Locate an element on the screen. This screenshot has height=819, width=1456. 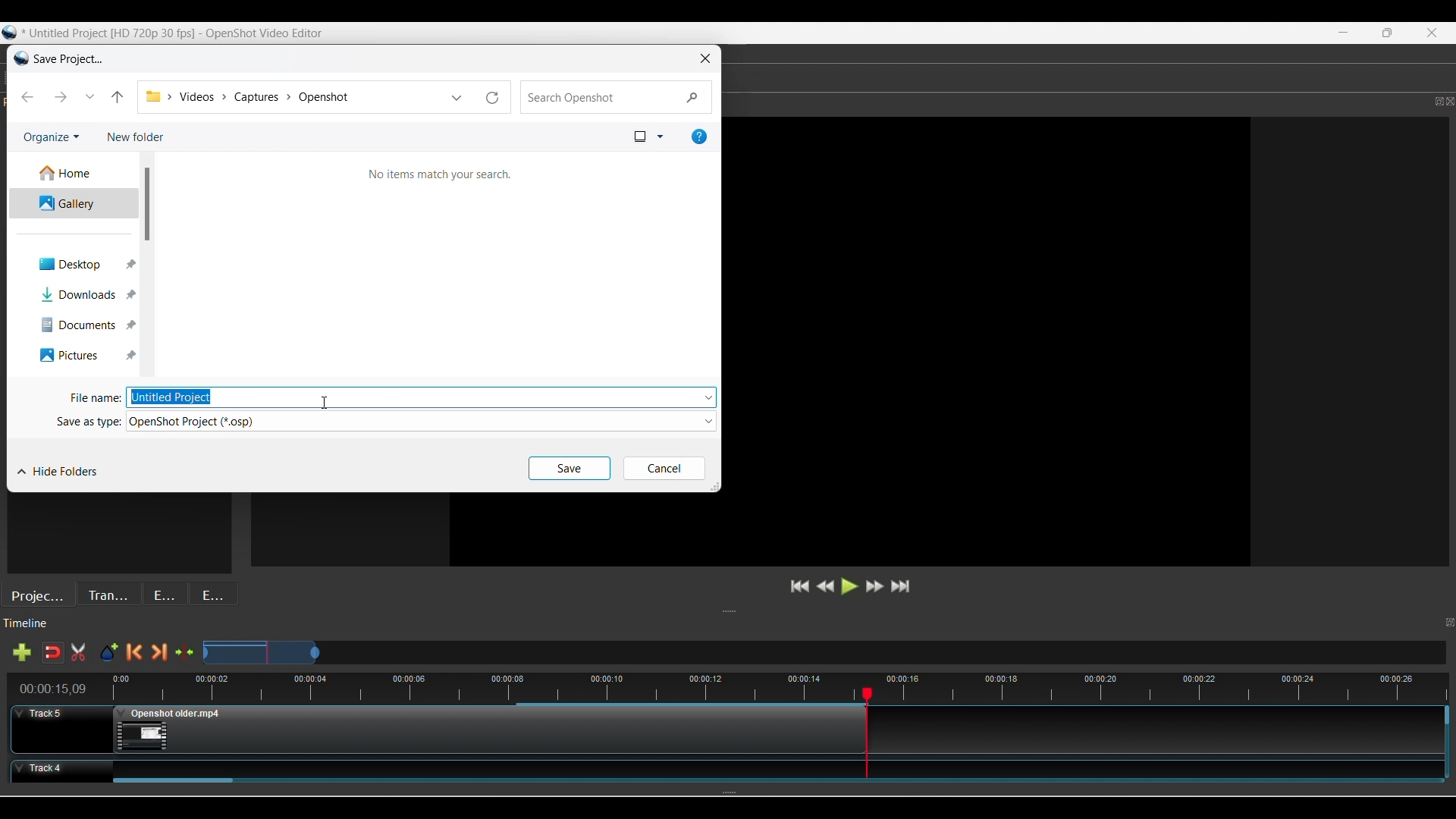
Disable snapping is located at coordinates (52, 652).